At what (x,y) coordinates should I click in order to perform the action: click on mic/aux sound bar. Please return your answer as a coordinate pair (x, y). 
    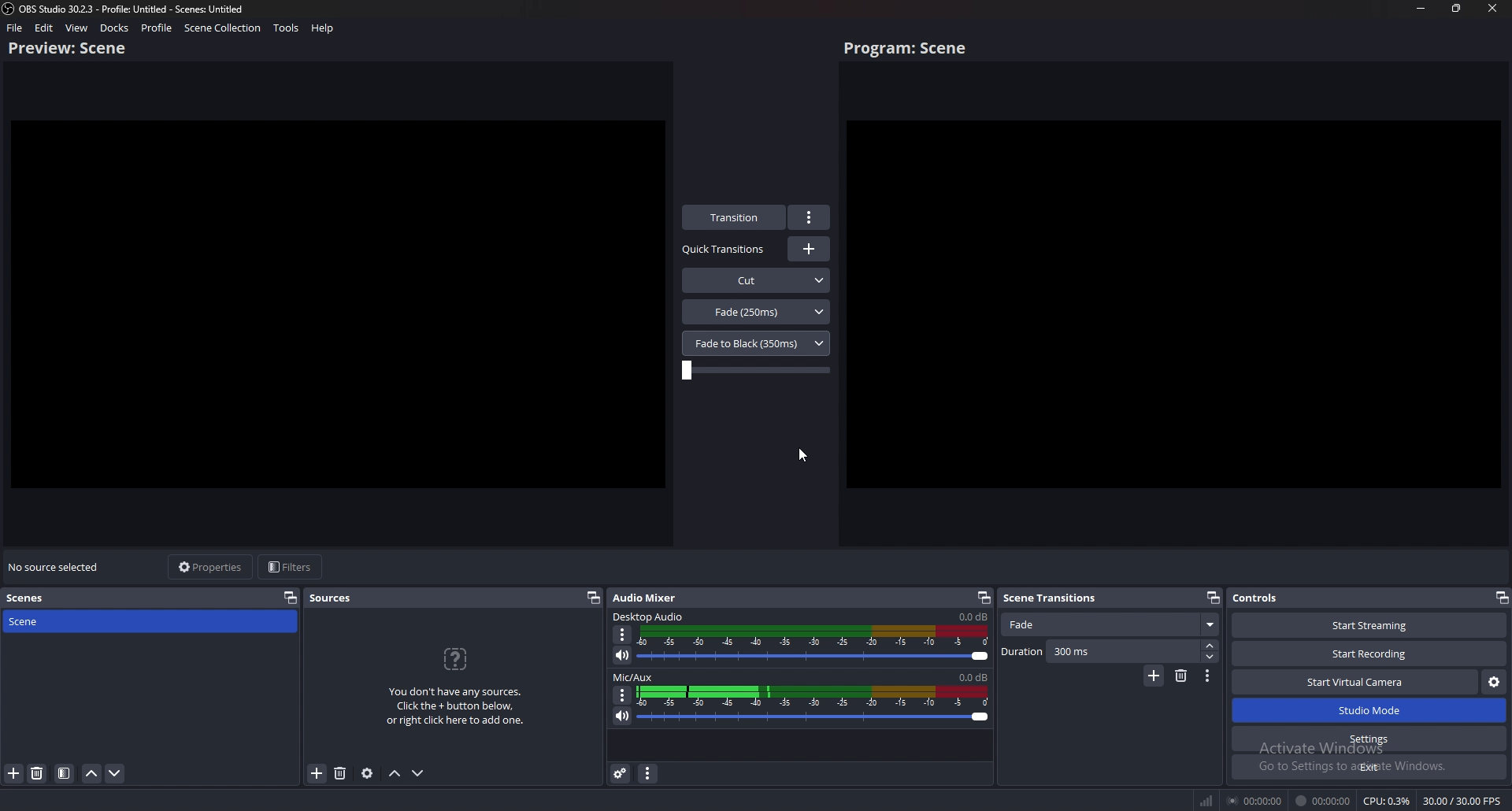
    Looking at the image, I should click on (814, 706).